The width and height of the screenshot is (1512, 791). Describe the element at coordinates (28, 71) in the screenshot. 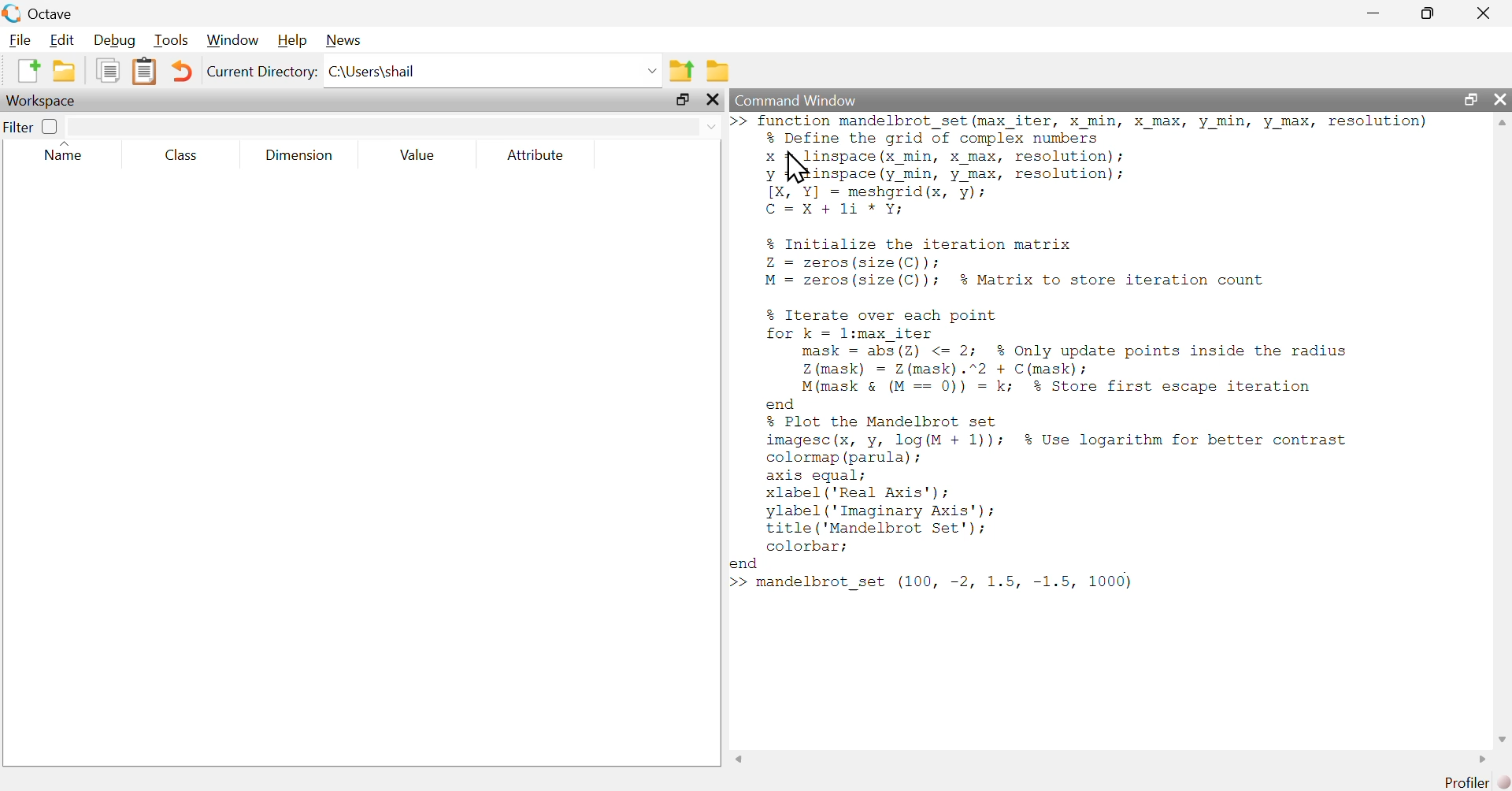

I see `New script` at that location.